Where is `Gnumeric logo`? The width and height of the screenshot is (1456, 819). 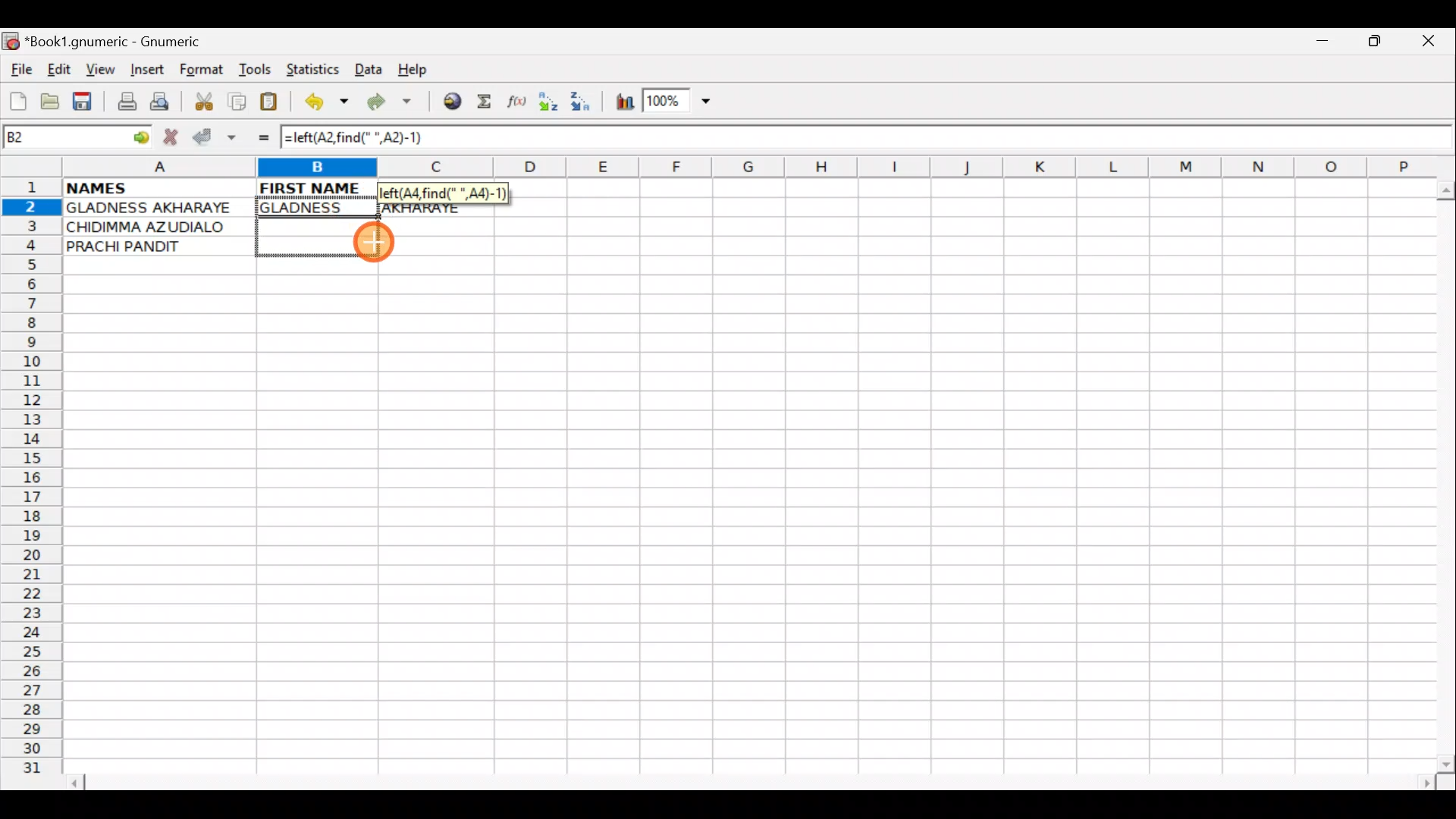
Gnumeric logo is located at coordinates (11, 42).